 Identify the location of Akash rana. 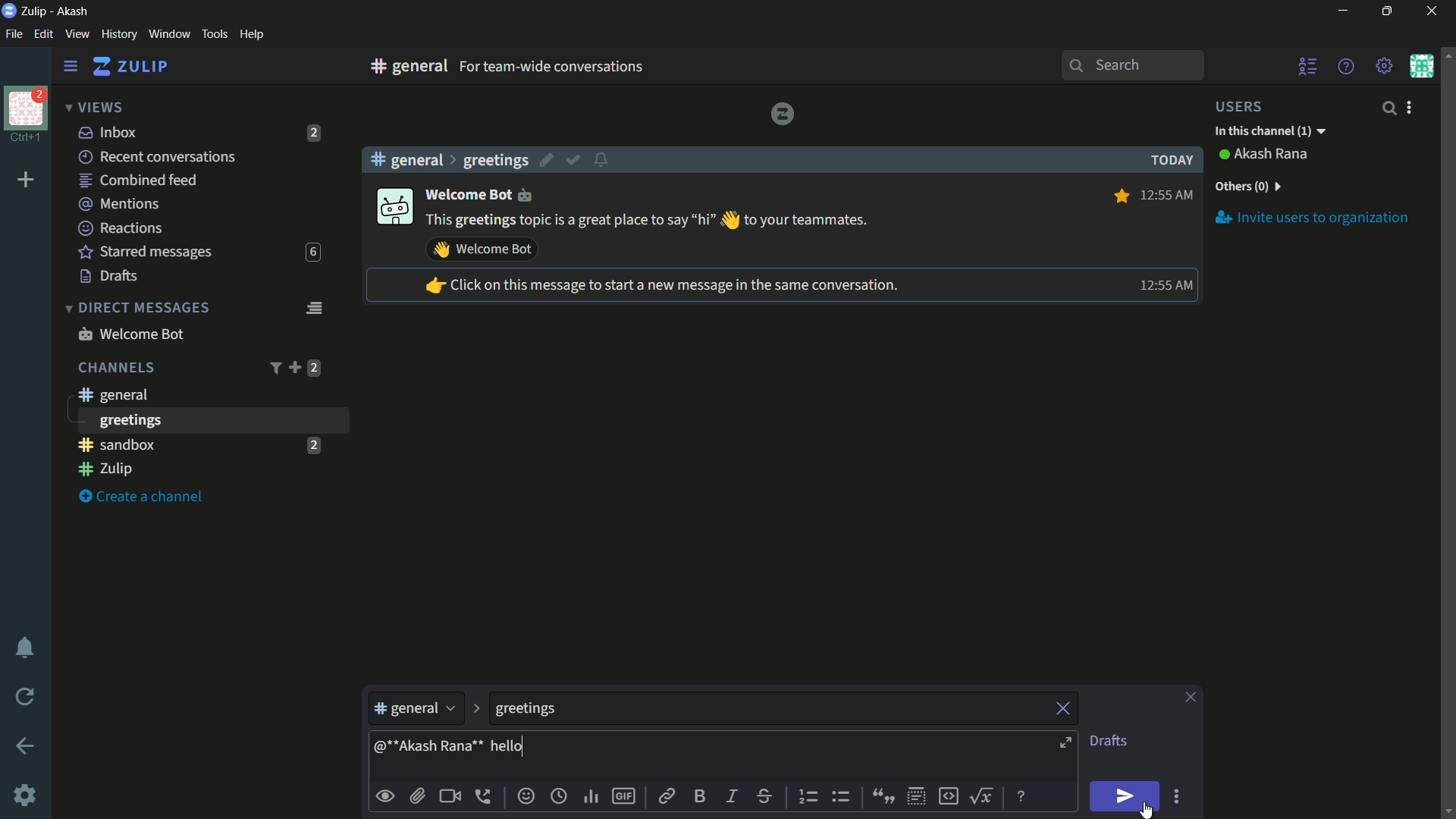
(1272, 155).